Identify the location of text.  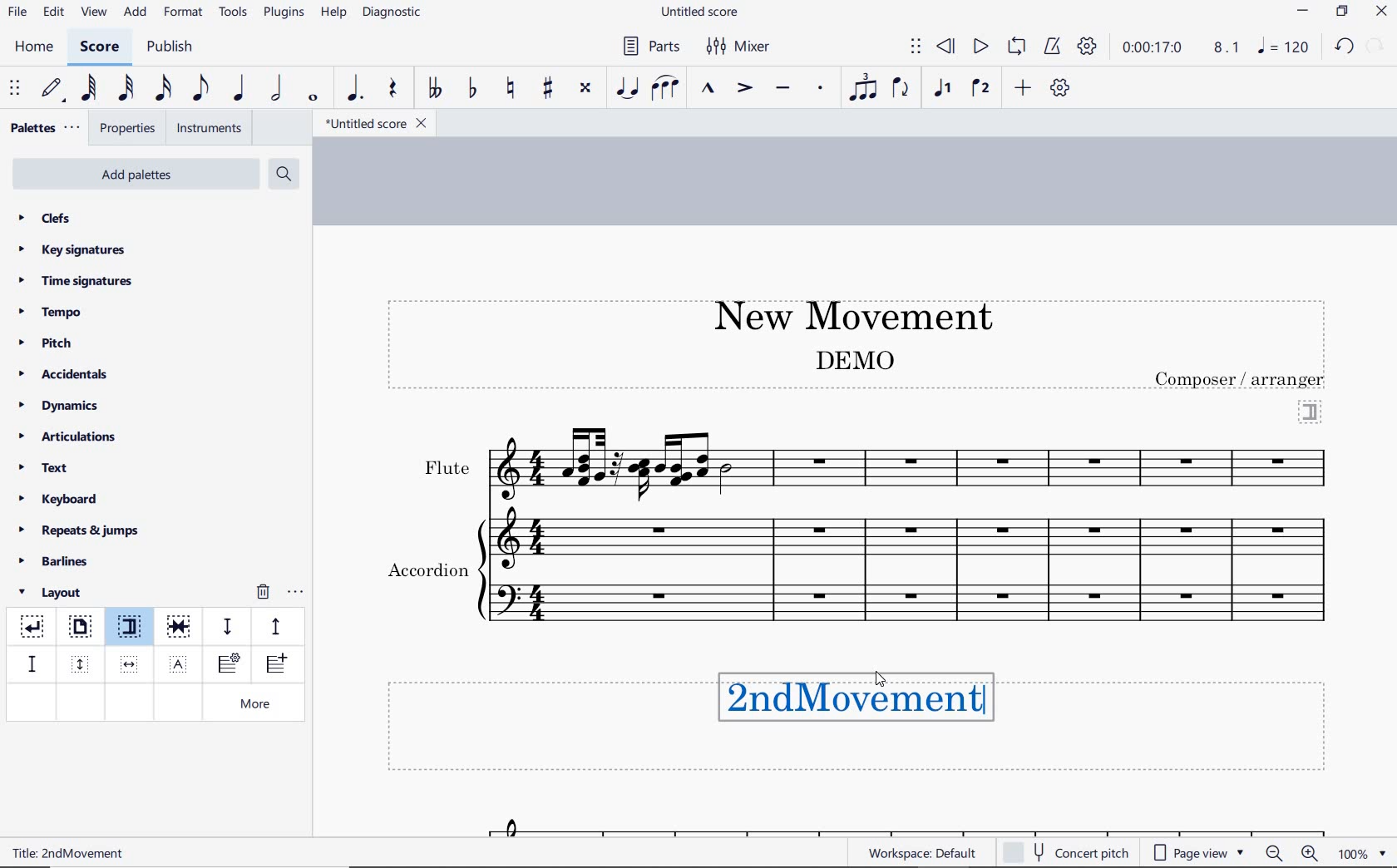
(45, 470).